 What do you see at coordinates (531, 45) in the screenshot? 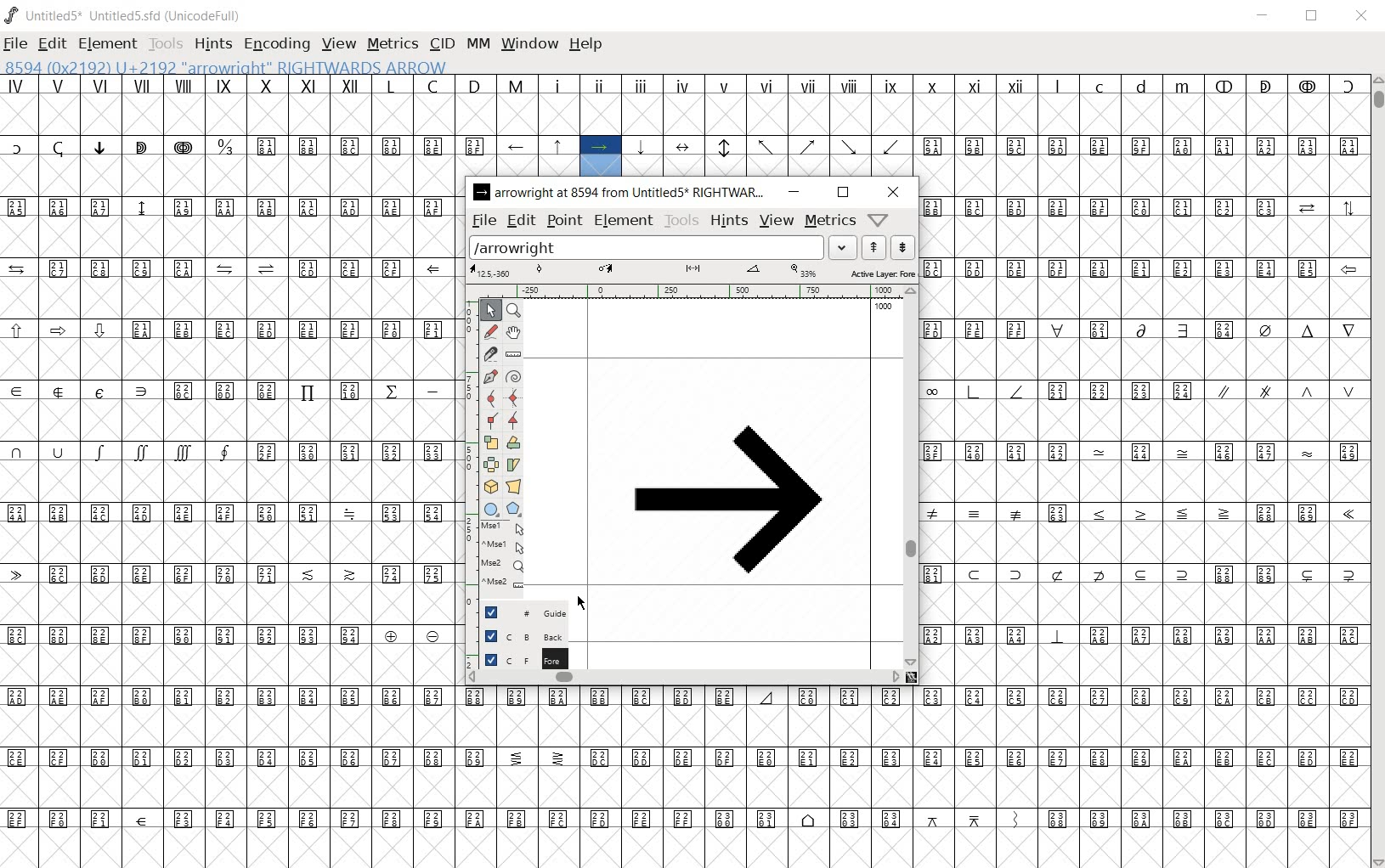
I see `WINDOW` at bounding box center [531, 45].